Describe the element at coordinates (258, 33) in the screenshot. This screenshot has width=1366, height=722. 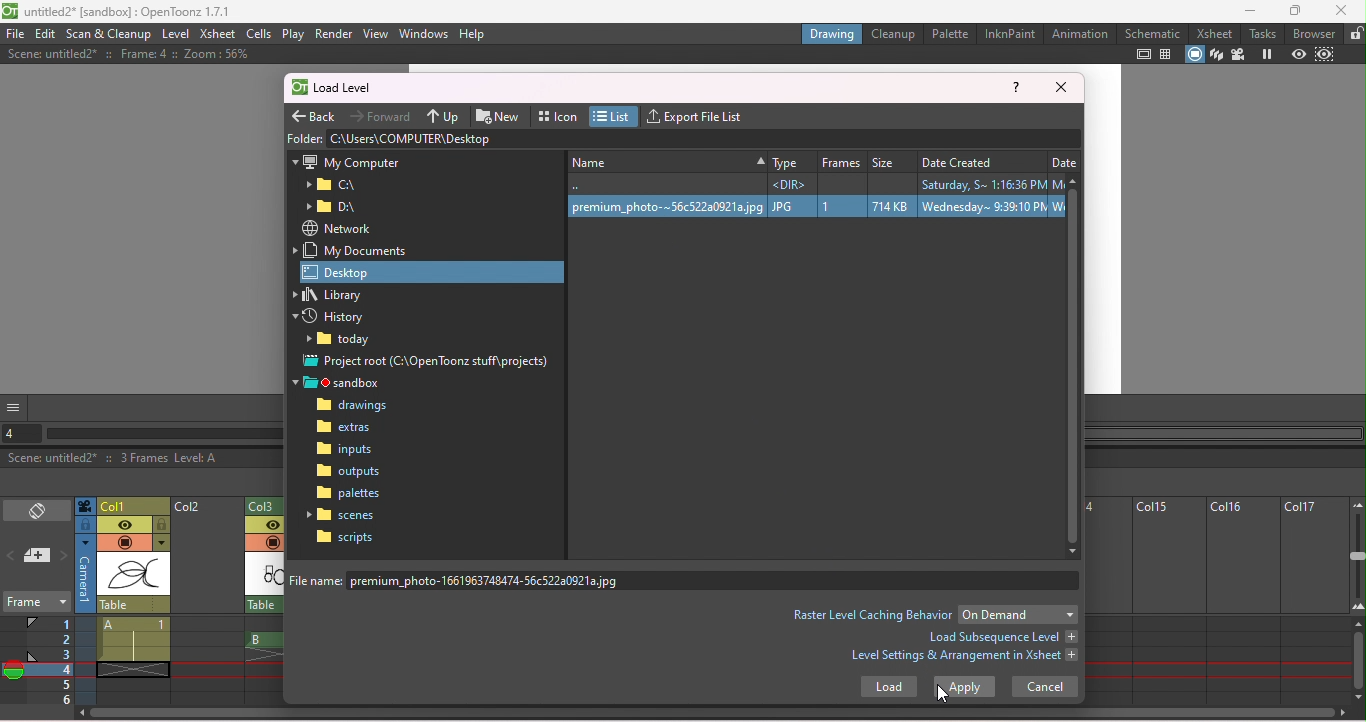
I see `Cells` at that location.